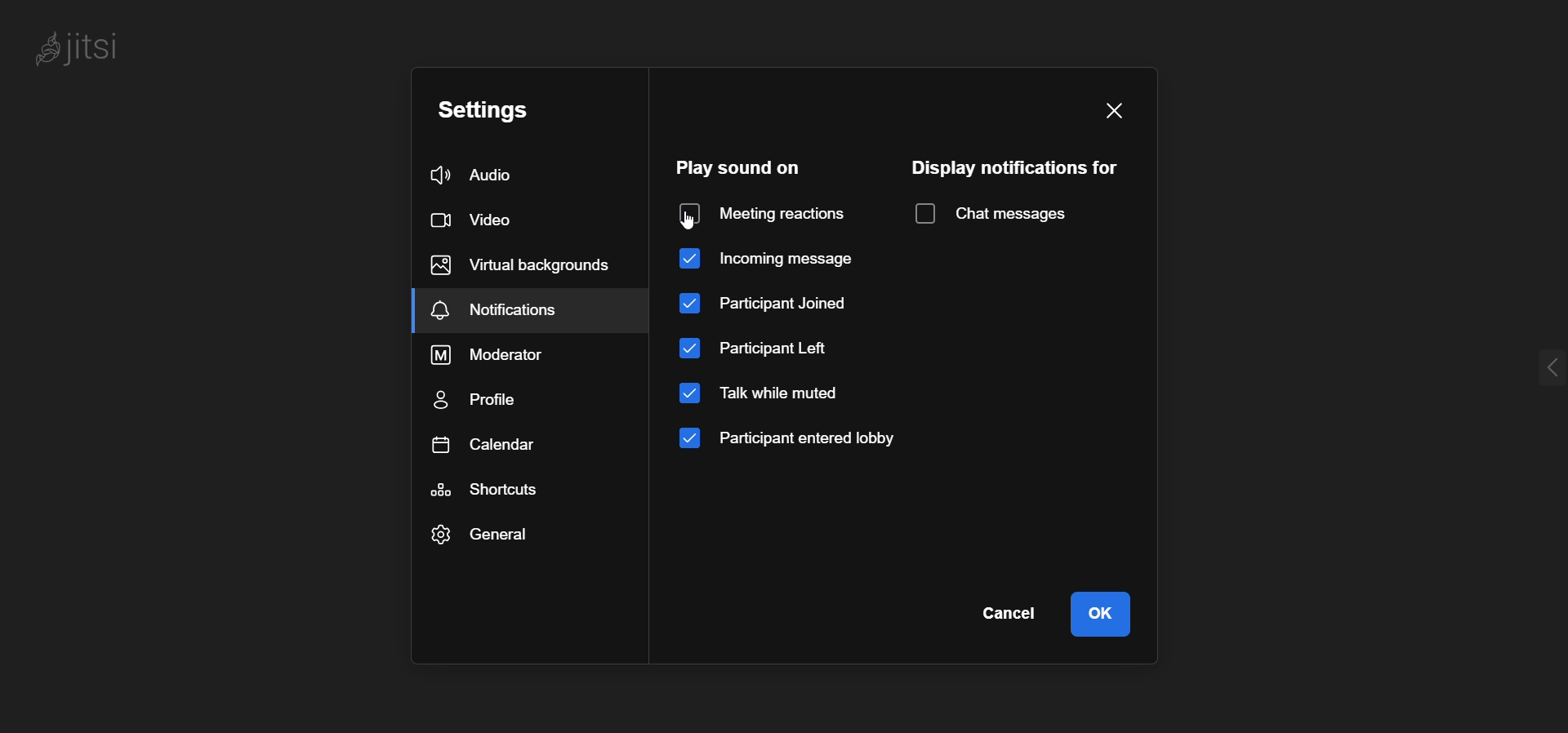 This screenshot has width=1568, height=733. Describe the element at coordinates (483, 534) in the screenshot. I see `general` at that location.